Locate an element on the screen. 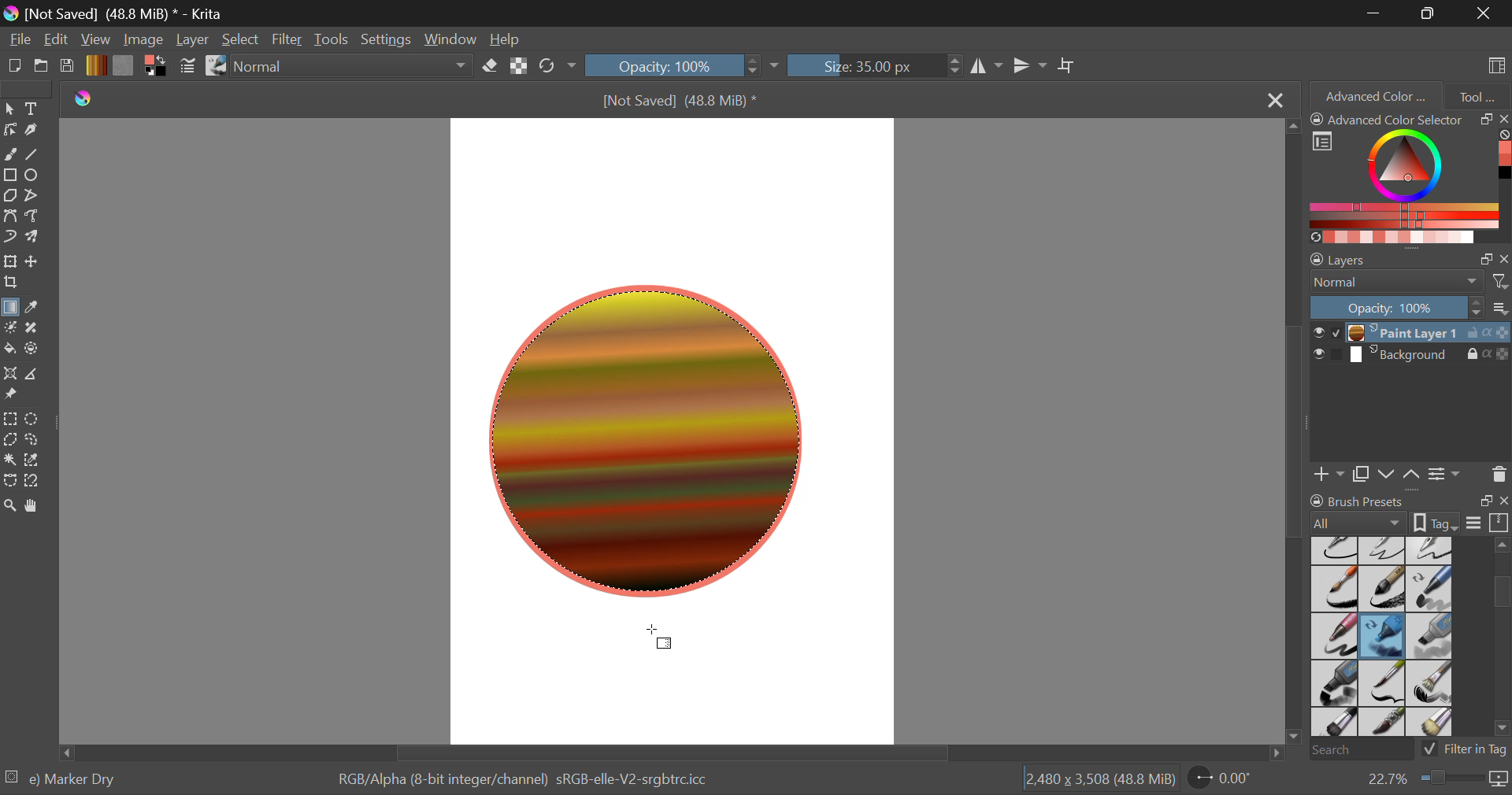 Image resolution: width=1512 pixels, height=795 pixels. Search is located at coordinates (1357, 751).